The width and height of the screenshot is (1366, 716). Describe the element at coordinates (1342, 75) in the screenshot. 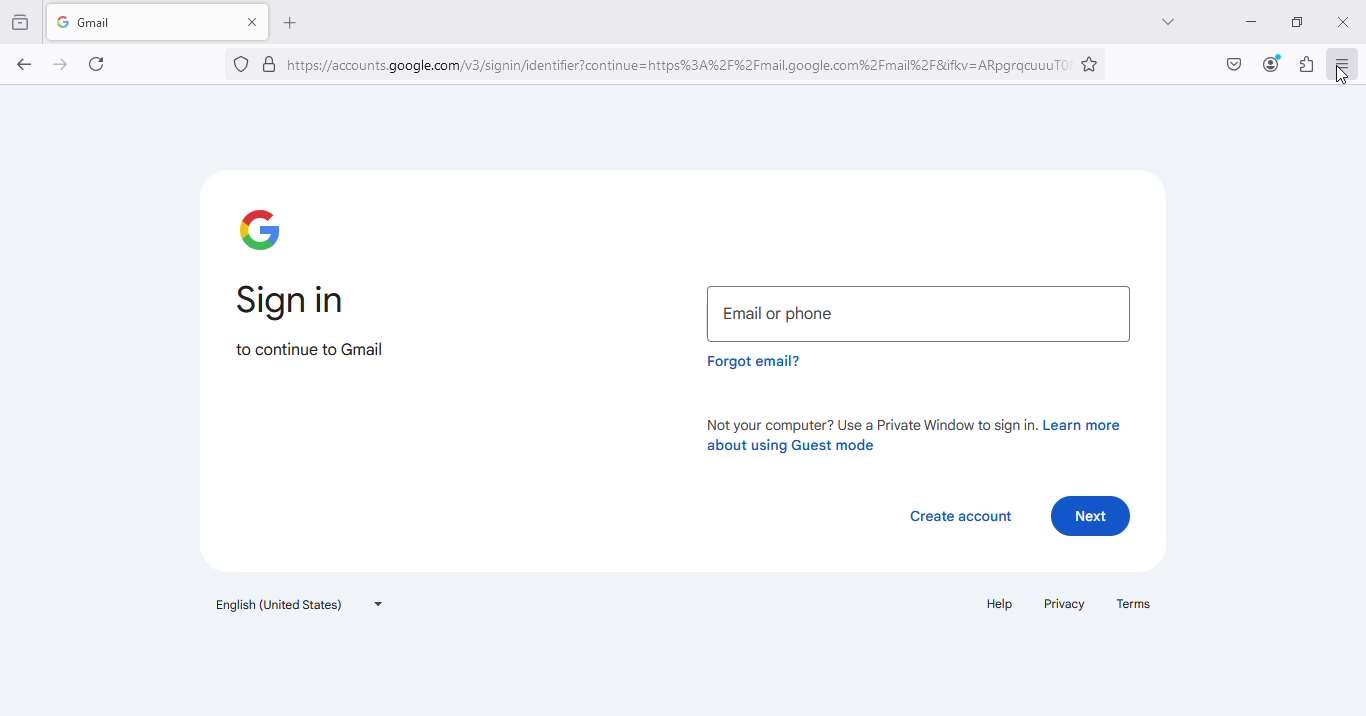

I see `cursor` at that location.